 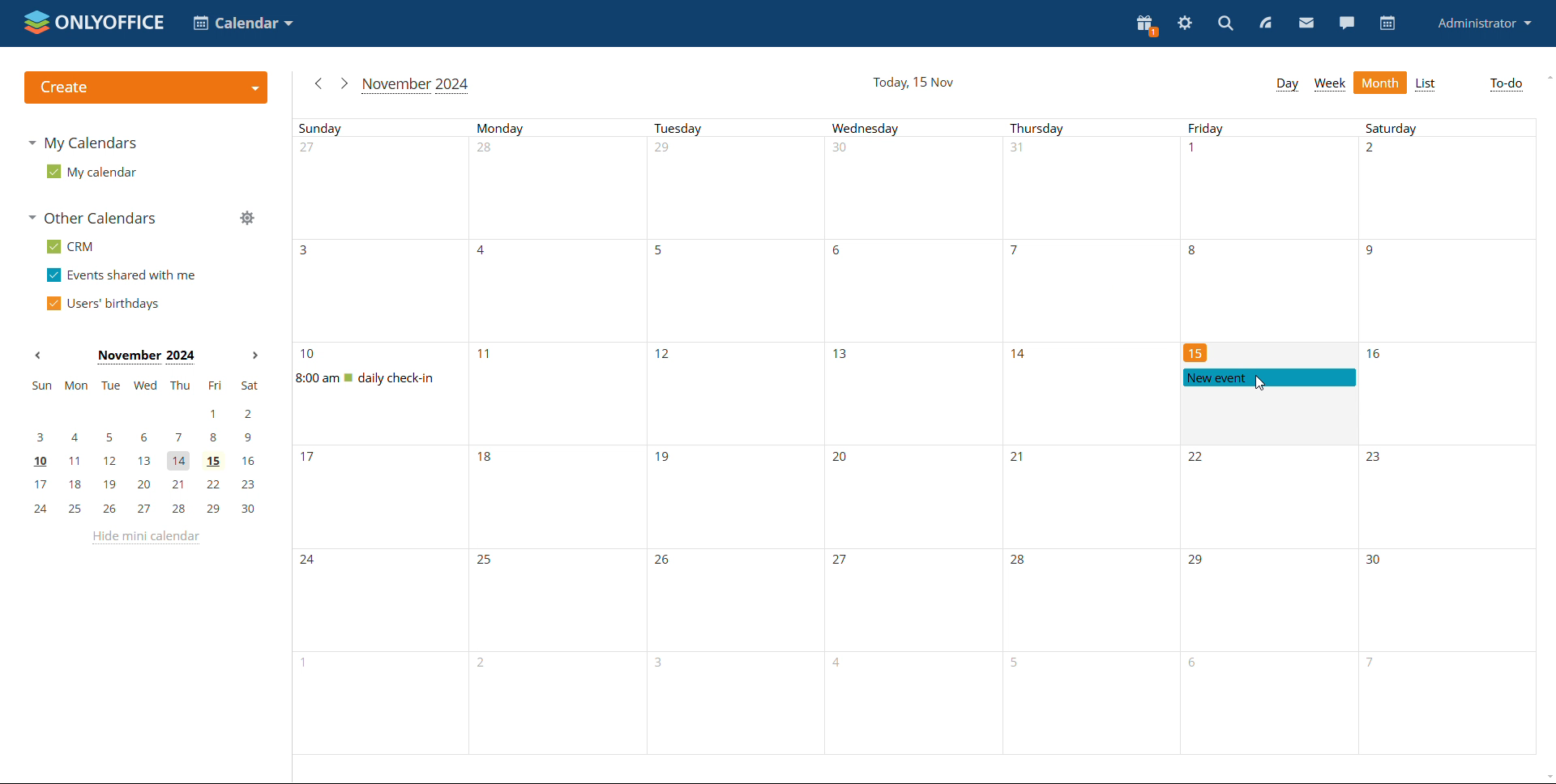 I want to click on next month, so click(x=344, y=84).